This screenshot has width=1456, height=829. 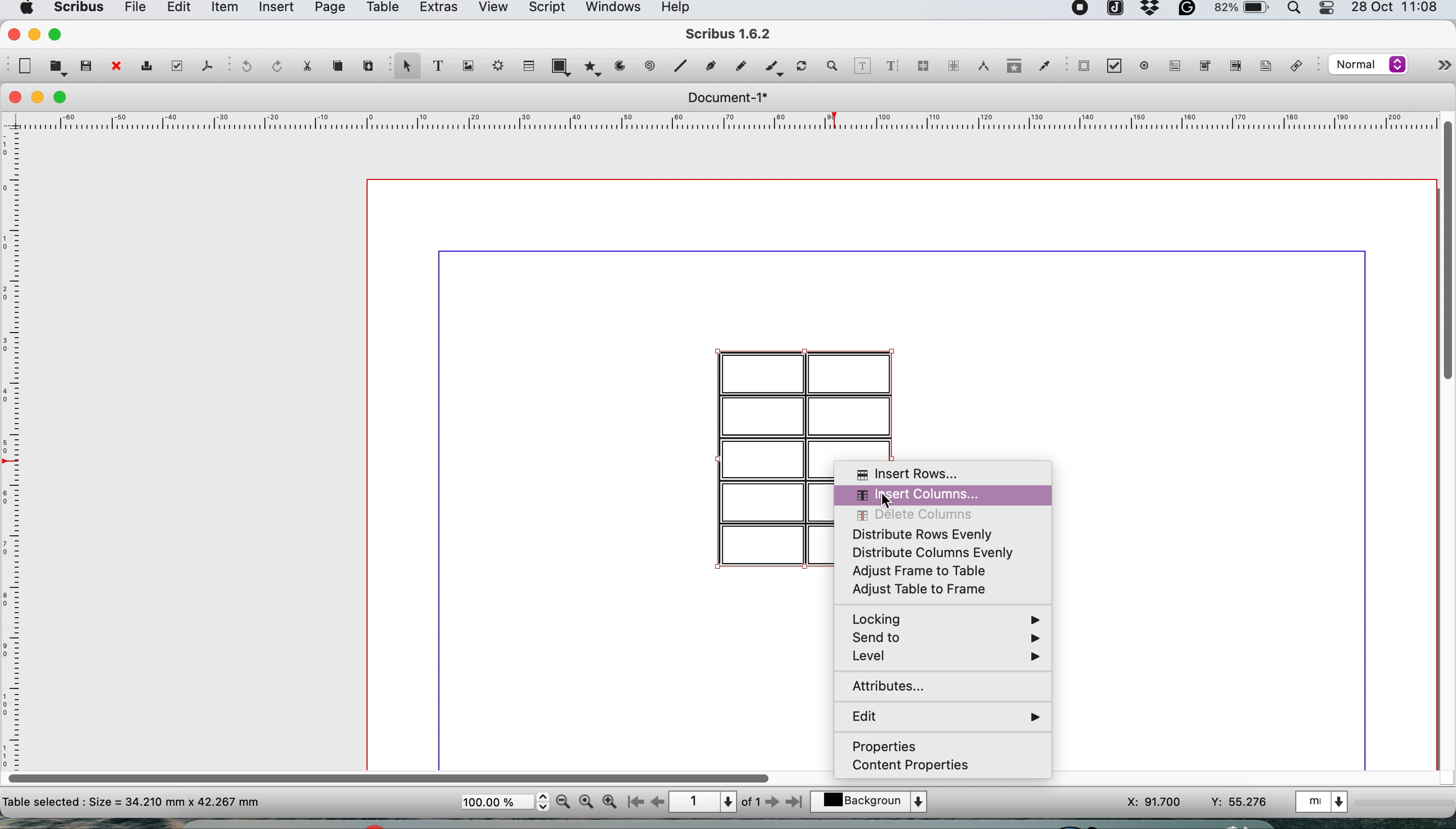 I want to click on copy, so click(x=340, y=66).